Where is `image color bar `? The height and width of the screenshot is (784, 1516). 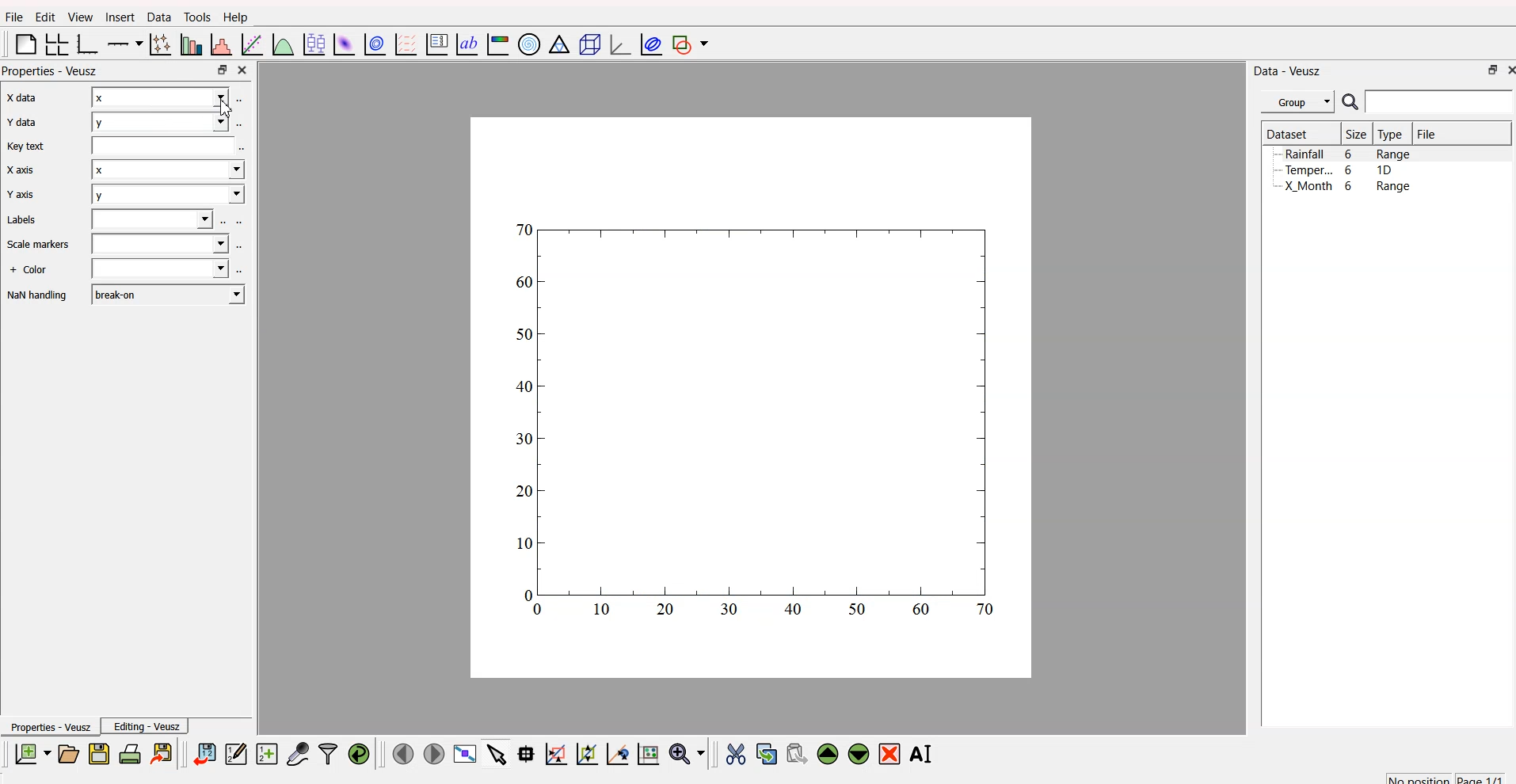
image color bar  is located at coordinates (497, 44).